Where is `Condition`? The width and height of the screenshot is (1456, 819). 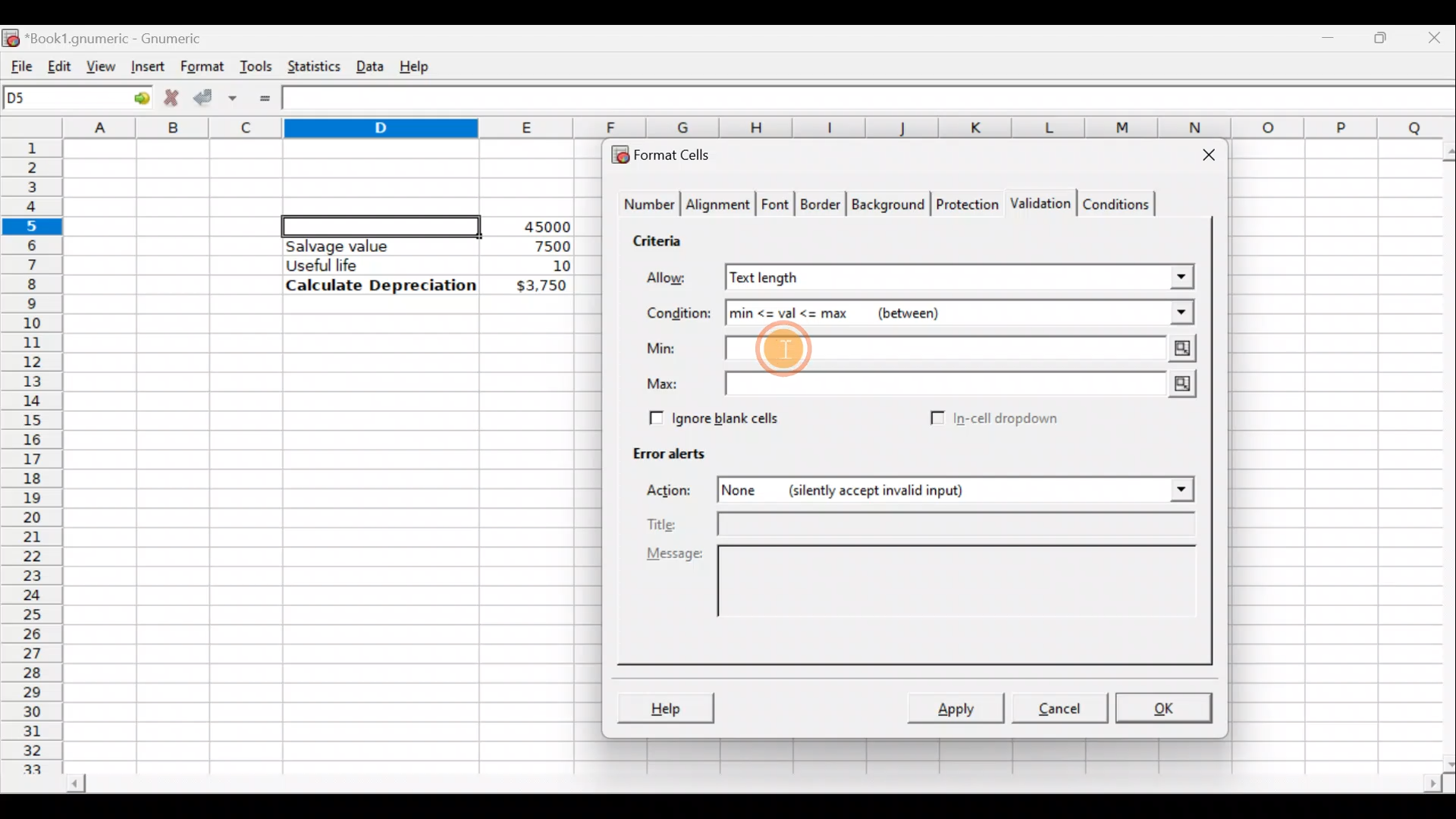
Condition is located at coordinates (678, 314).